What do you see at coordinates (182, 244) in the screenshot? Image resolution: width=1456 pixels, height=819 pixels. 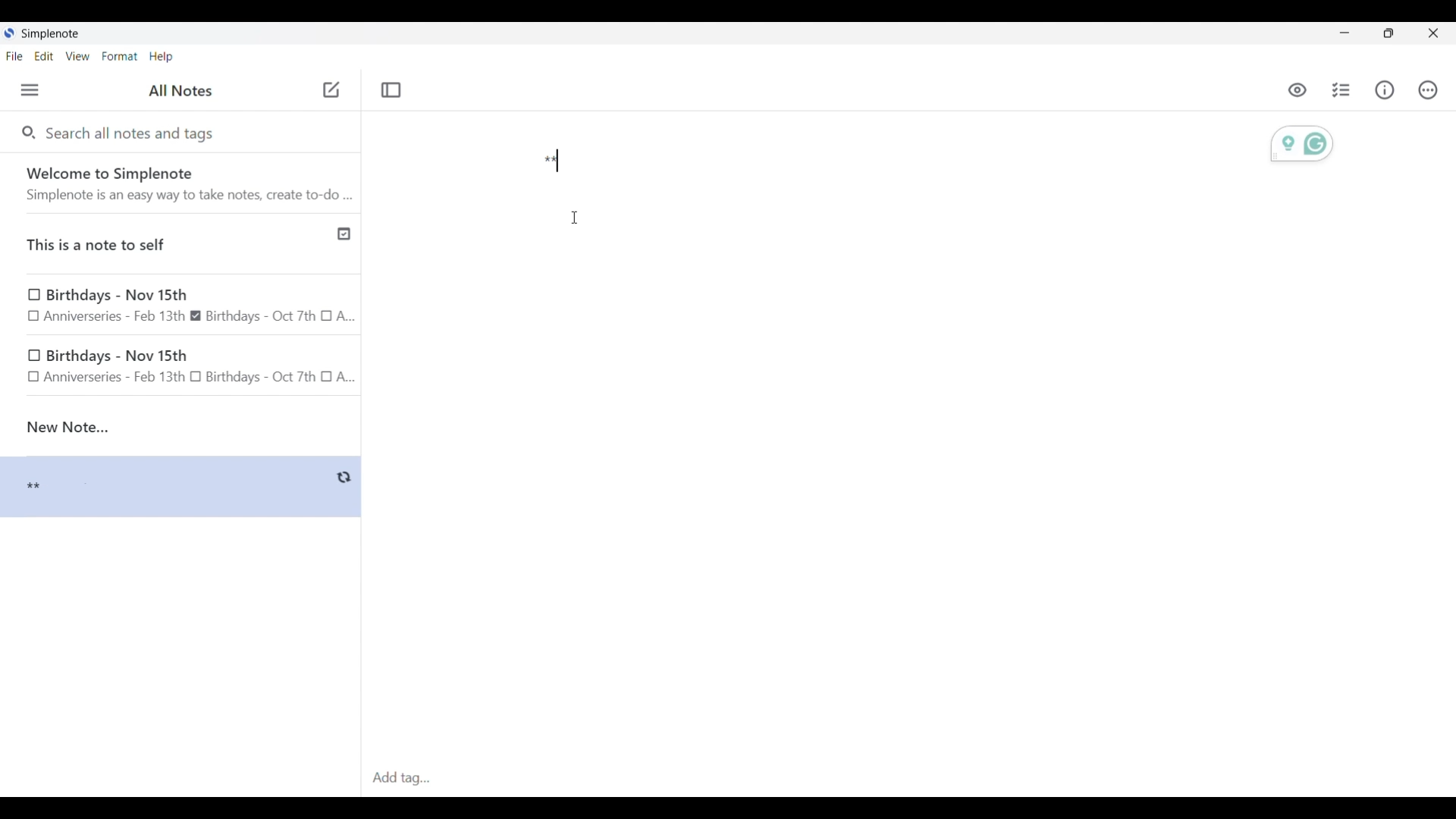 I see `Published note indicated by check icon` at bounding box center [182, 244].